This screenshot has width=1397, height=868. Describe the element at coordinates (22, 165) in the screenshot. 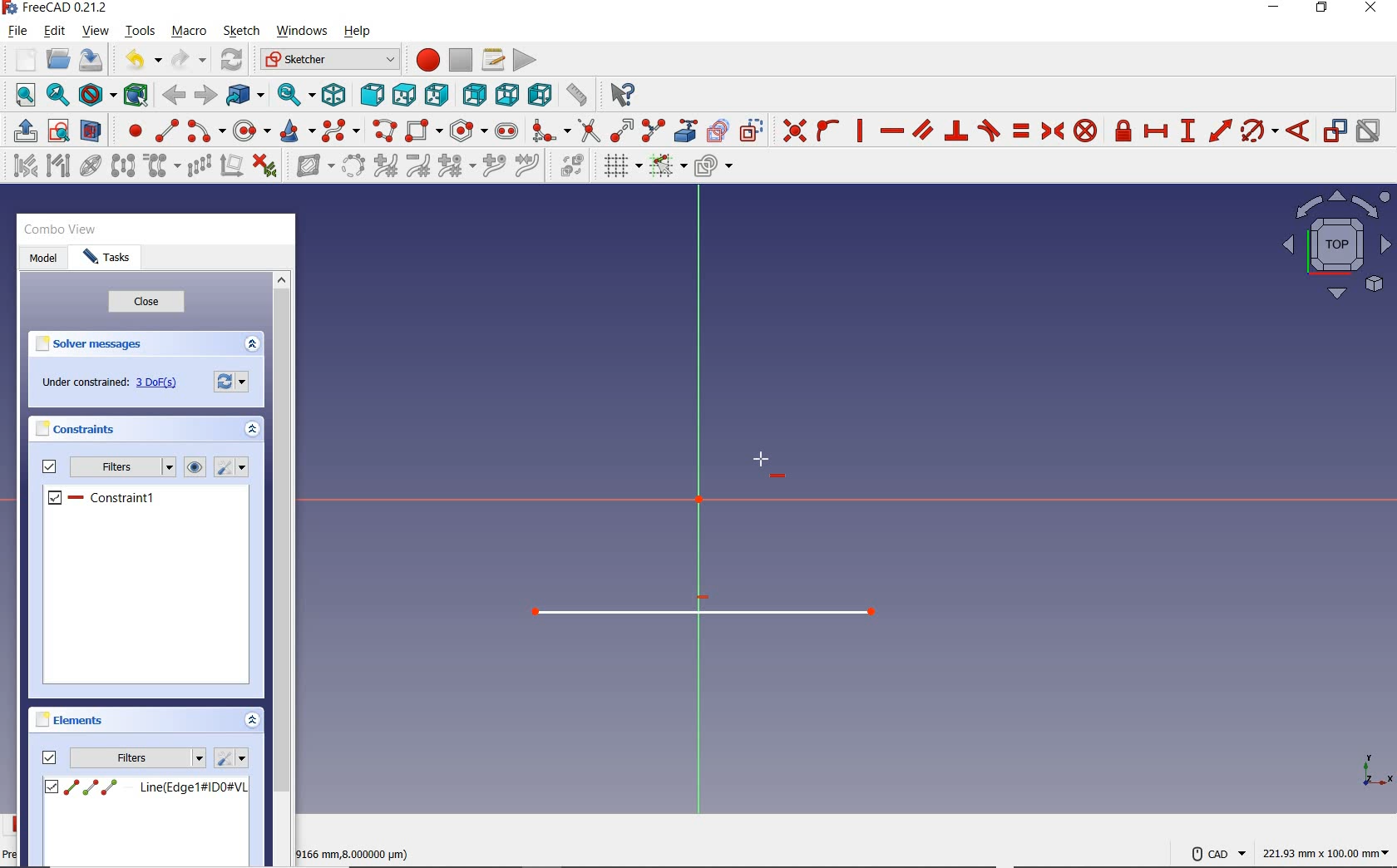

I see `SELECT ASSOCIATED CONSTRAINTS` at that location.